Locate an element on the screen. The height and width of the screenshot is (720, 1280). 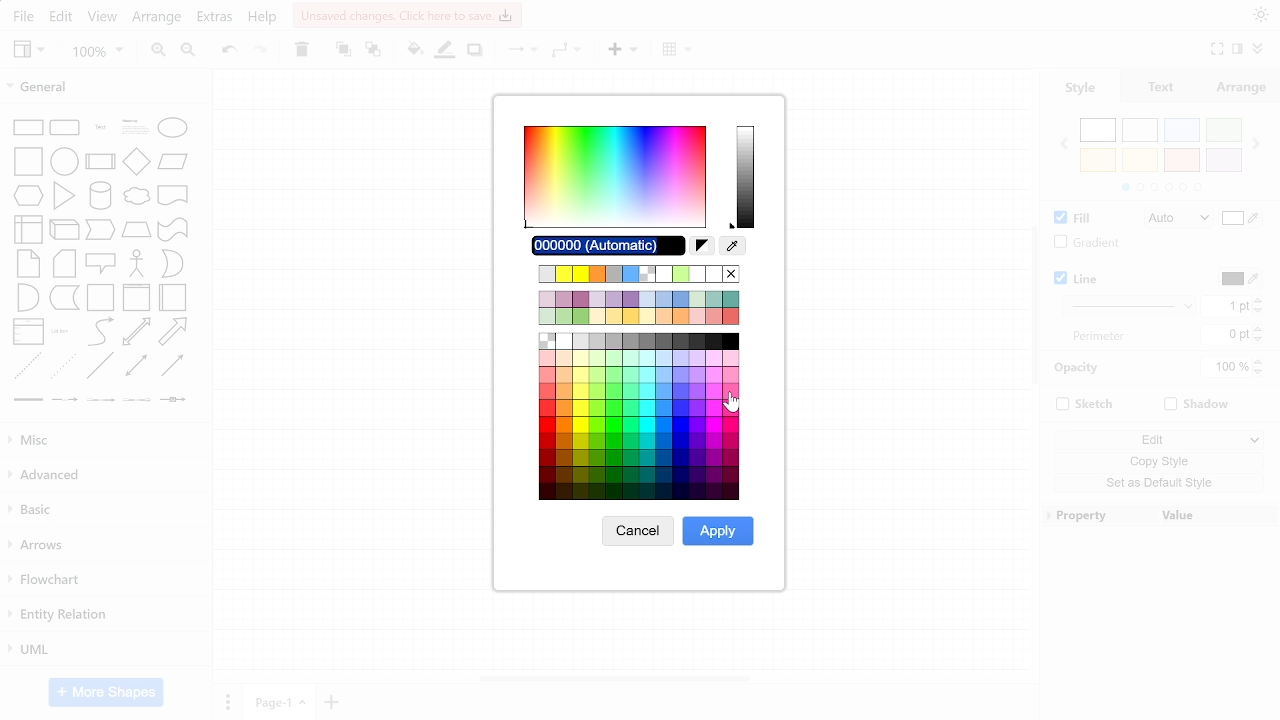
Pick color is located at coordinates (730, 247).